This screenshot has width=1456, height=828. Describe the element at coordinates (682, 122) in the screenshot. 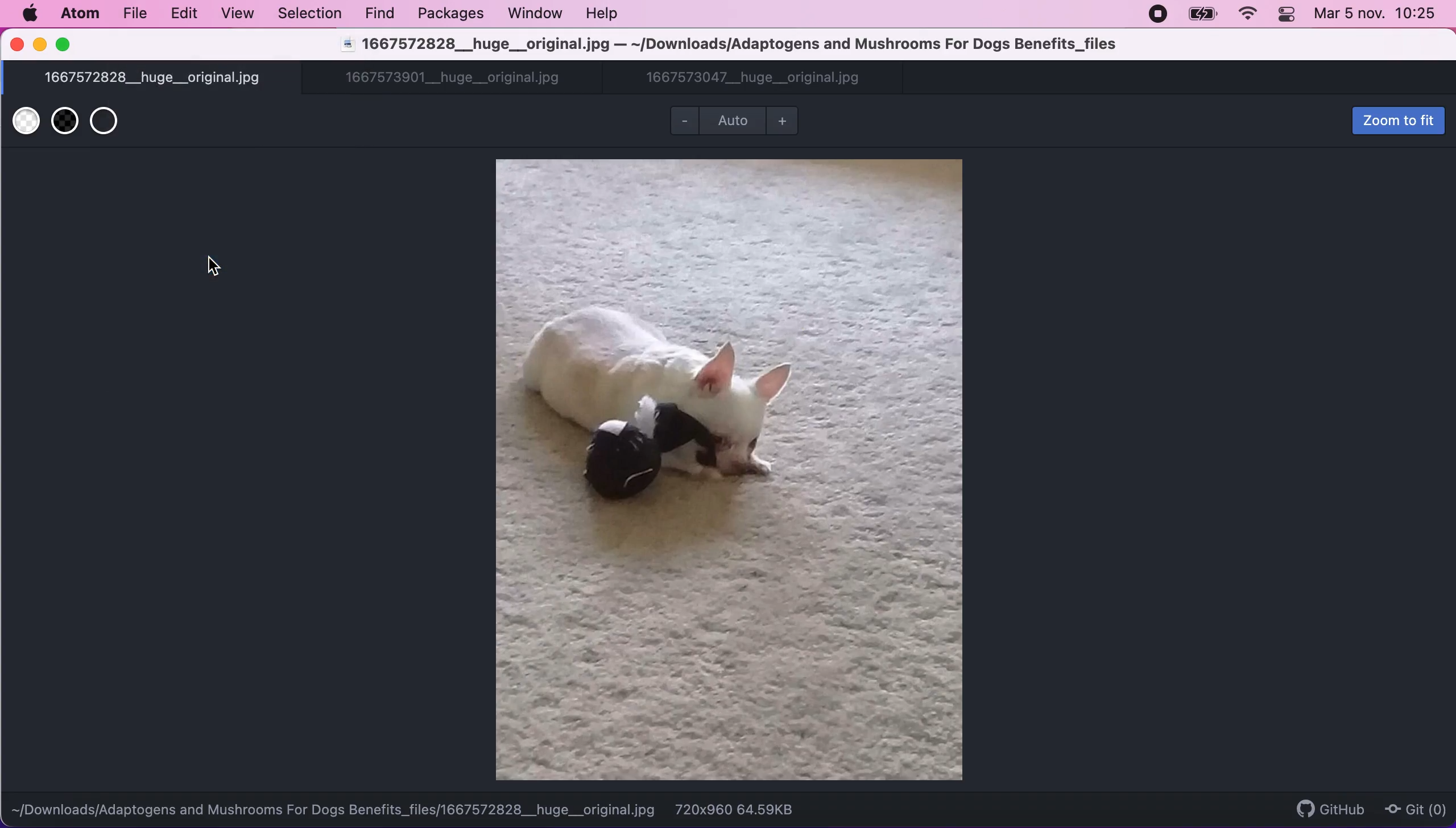

I see `zoom out` at that location.